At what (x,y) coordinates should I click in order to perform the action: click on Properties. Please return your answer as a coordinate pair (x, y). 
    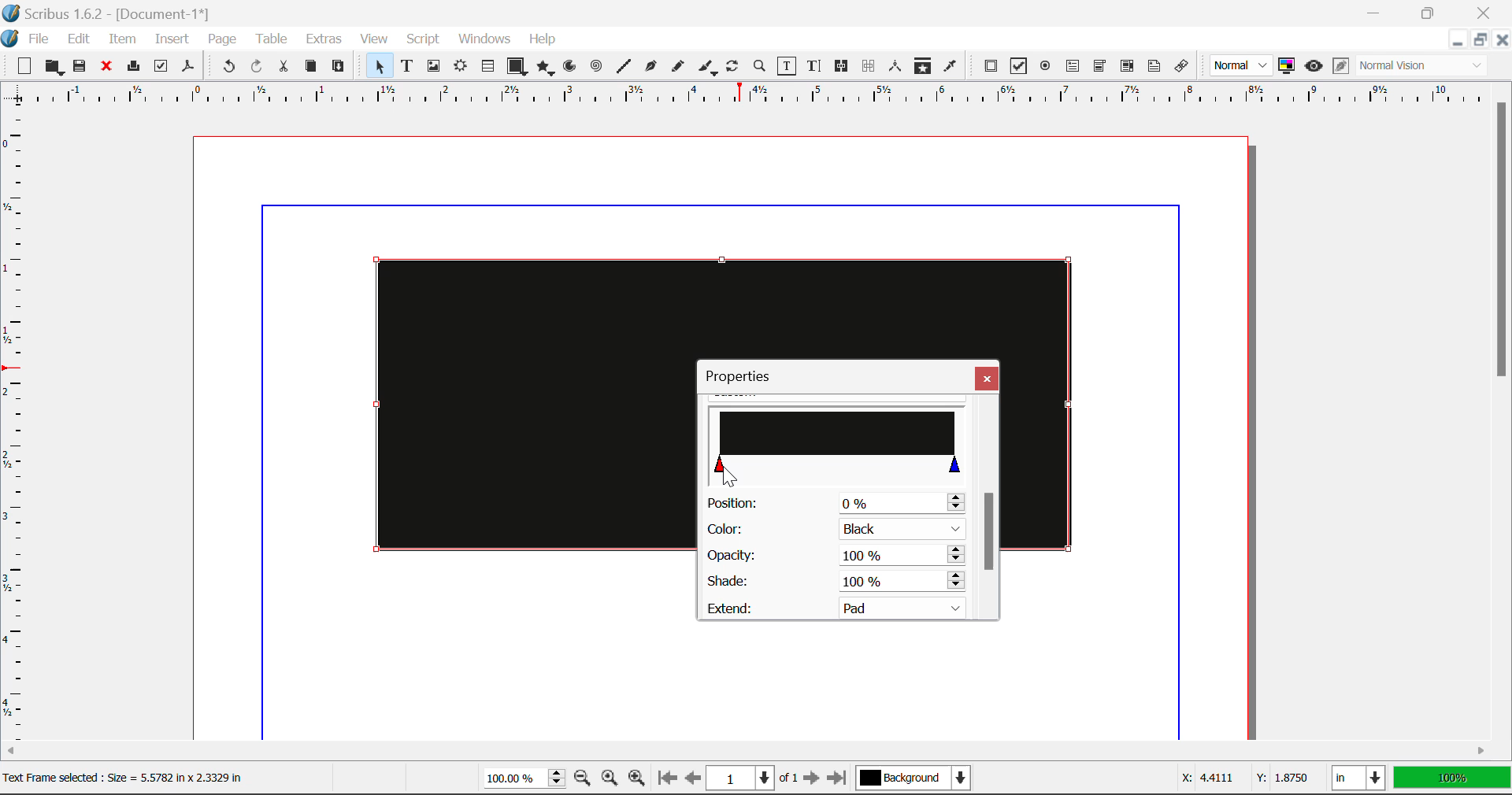
    Looking at the image, I should click on (747, 376).